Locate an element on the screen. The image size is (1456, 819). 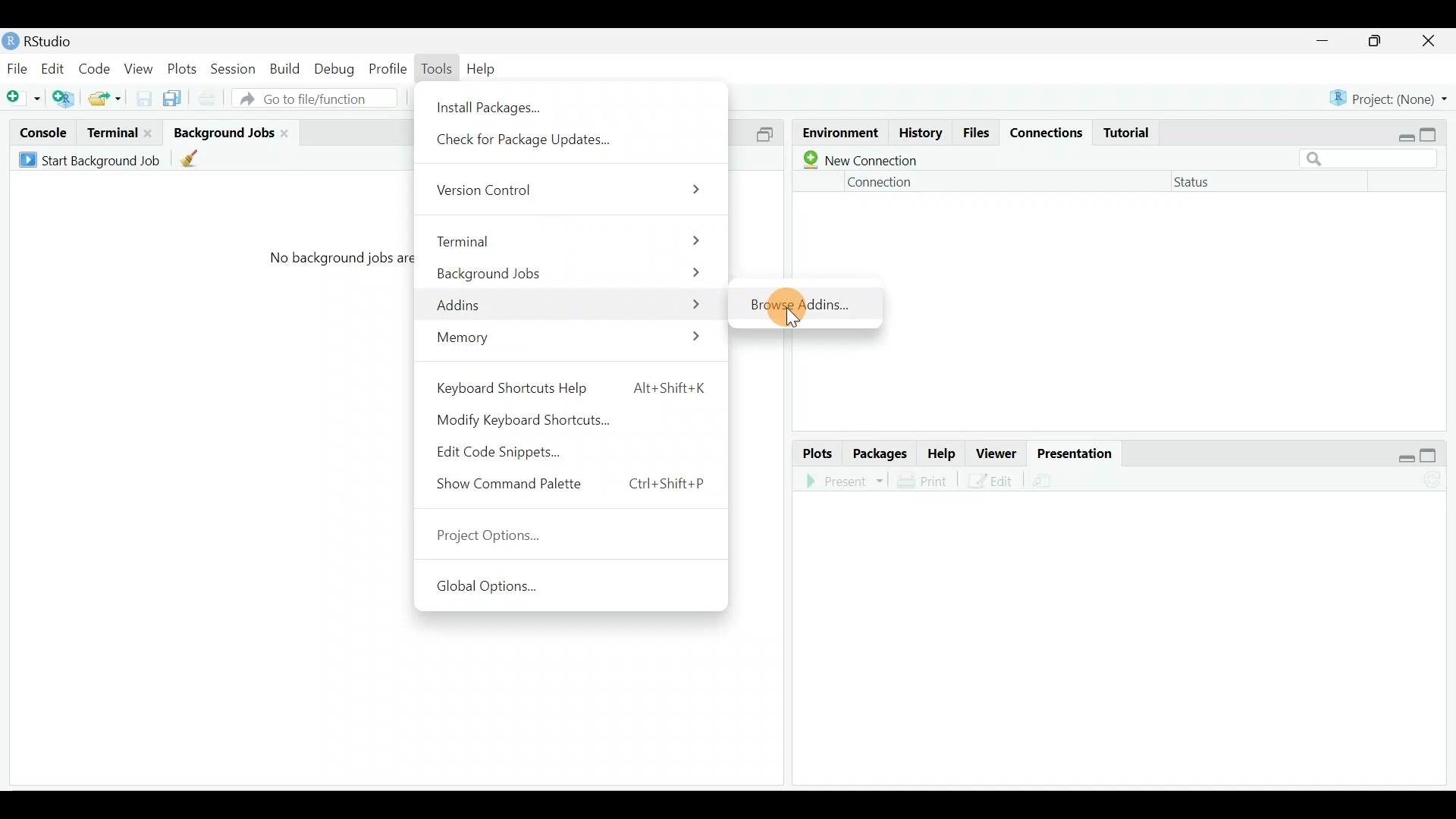
Terminal is located at coordinates (112, 133).